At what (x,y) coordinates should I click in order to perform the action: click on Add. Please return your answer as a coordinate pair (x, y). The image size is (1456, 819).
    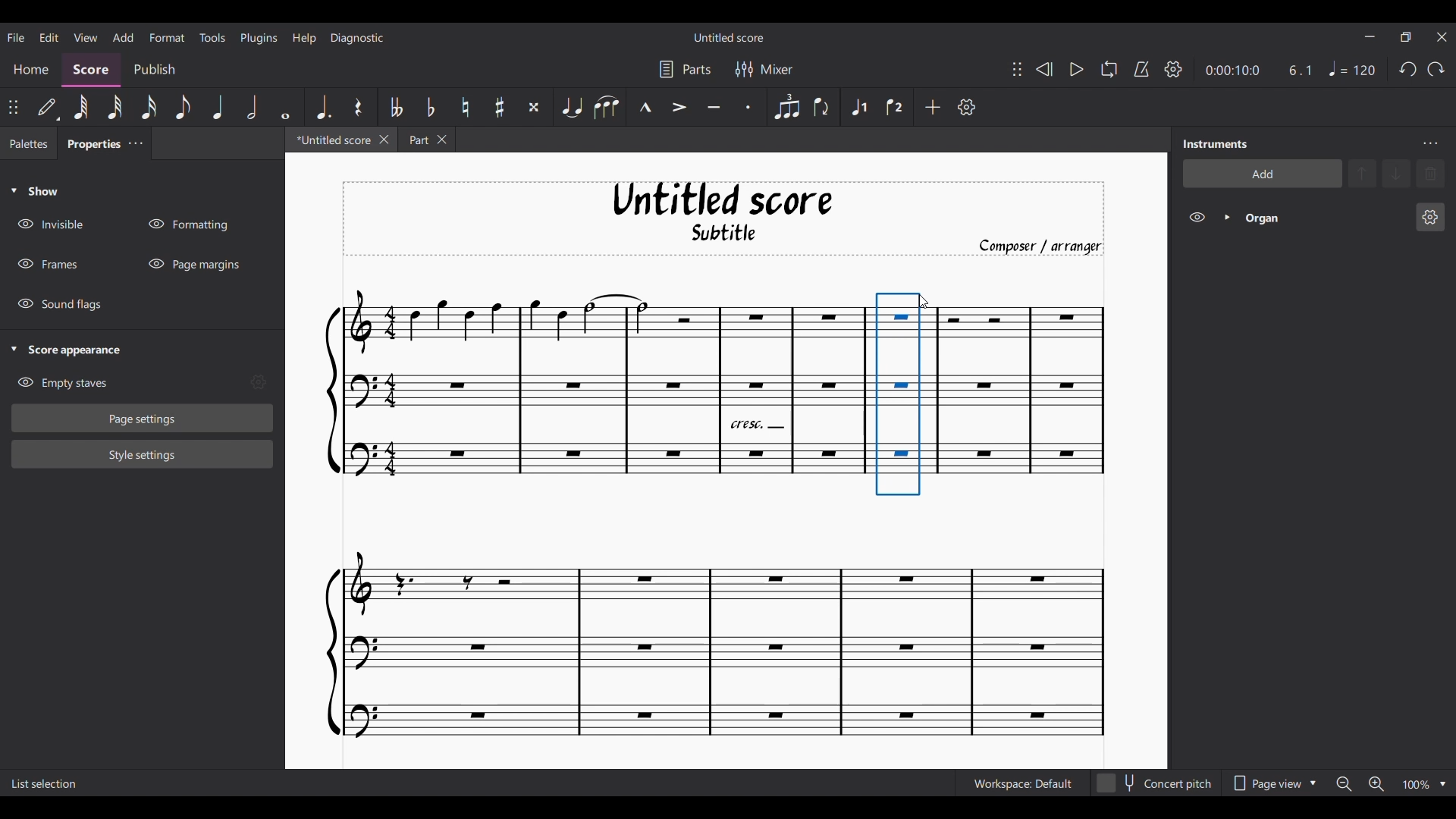
    Looking at the image, I should click on (932, 106).